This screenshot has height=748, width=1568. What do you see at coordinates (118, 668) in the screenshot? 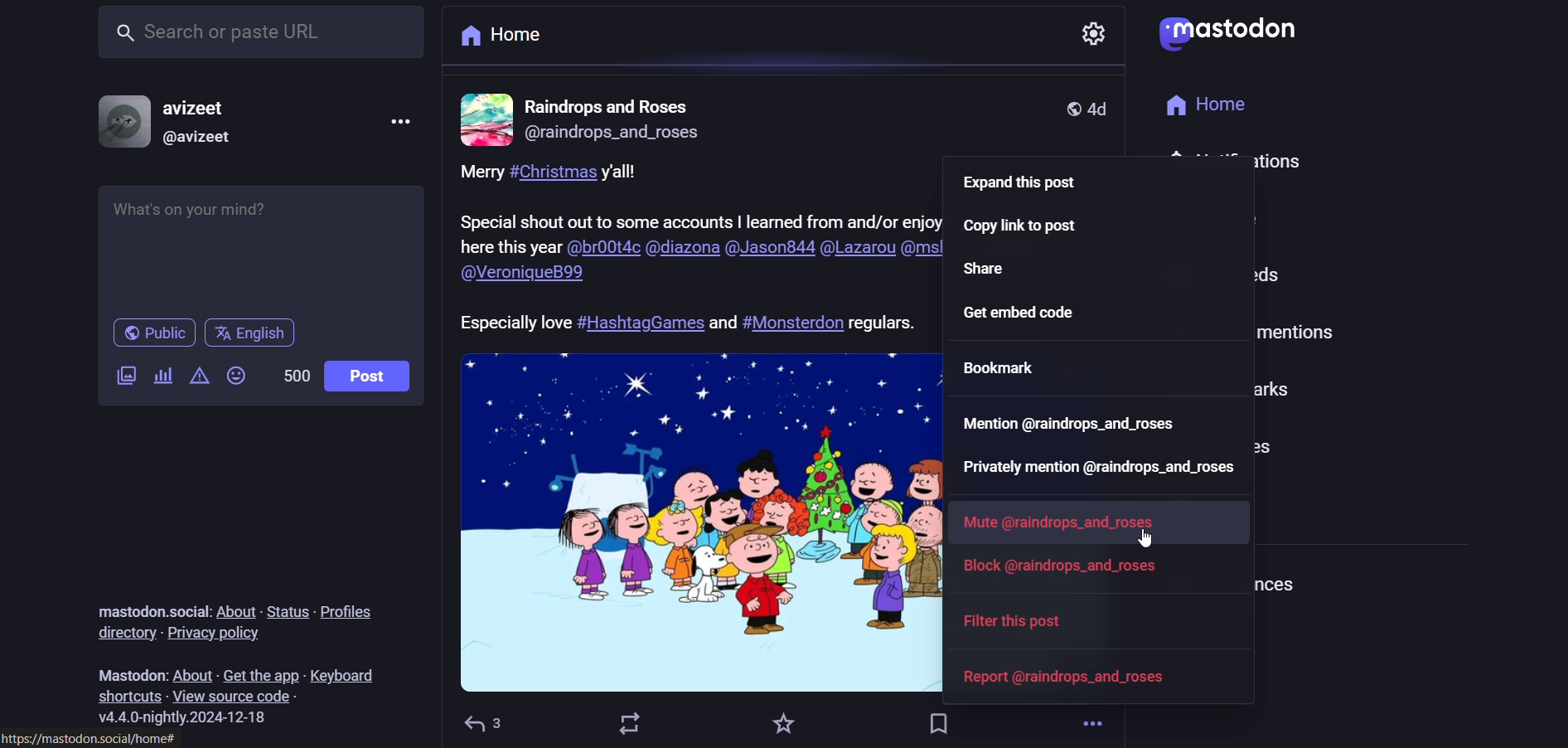
I see `text` at bounding box center [118, 668].